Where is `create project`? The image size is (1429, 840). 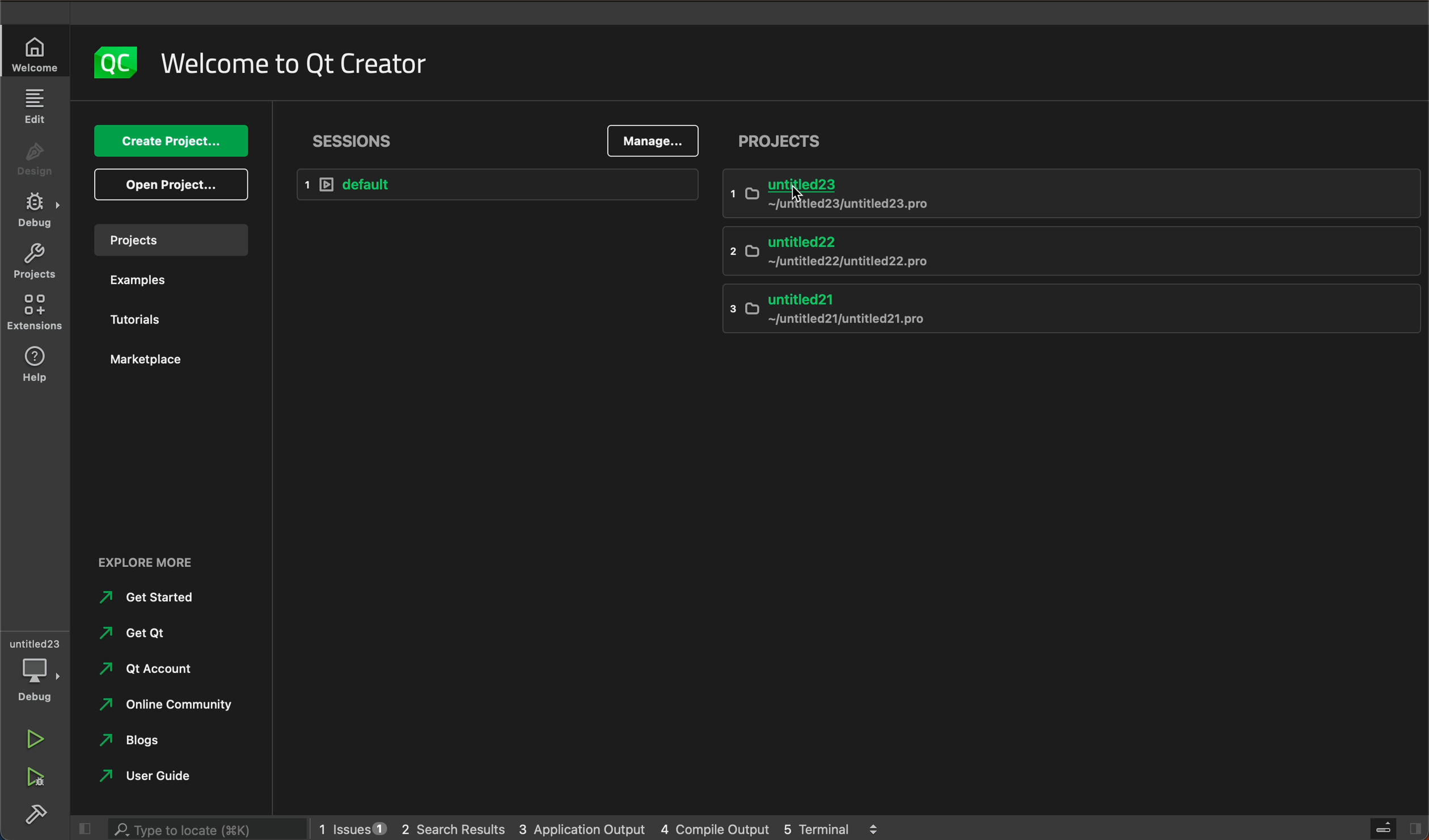
create project is located at coordinates (168, 141).